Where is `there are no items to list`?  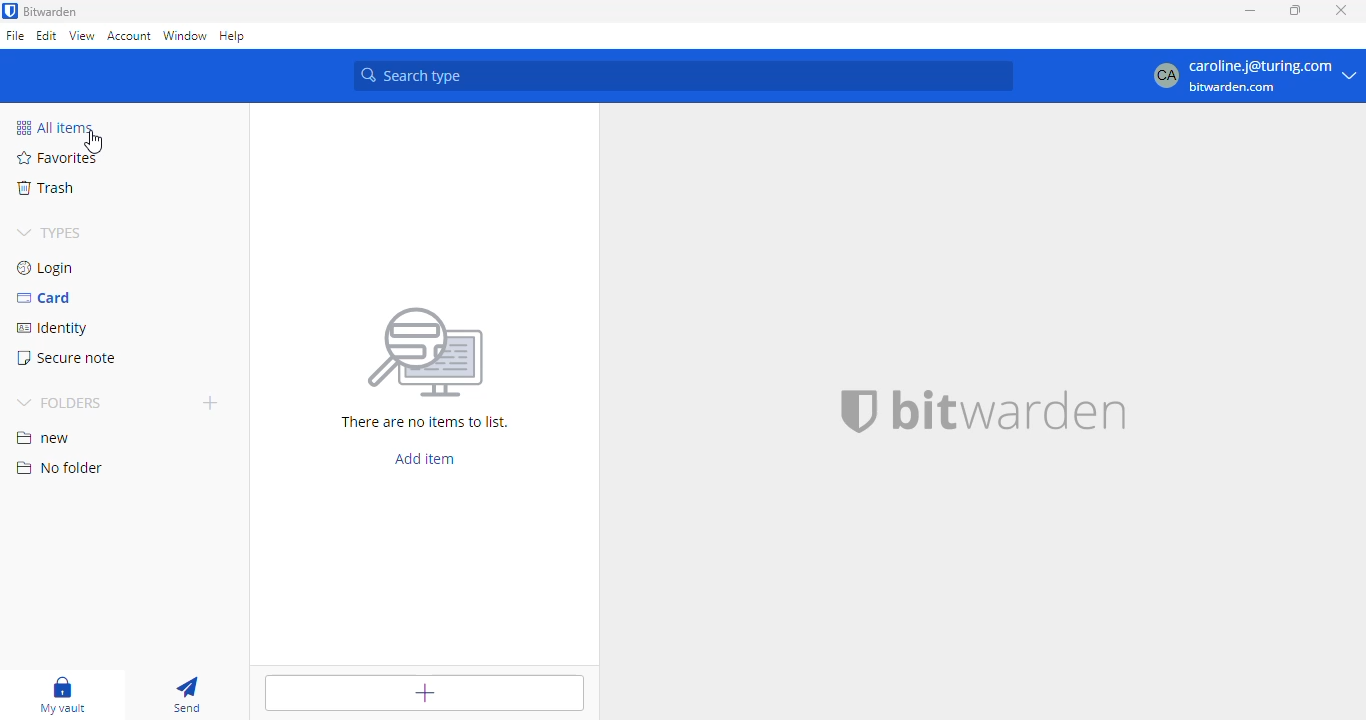
there are no items to list is located at coordinates (423, 422).